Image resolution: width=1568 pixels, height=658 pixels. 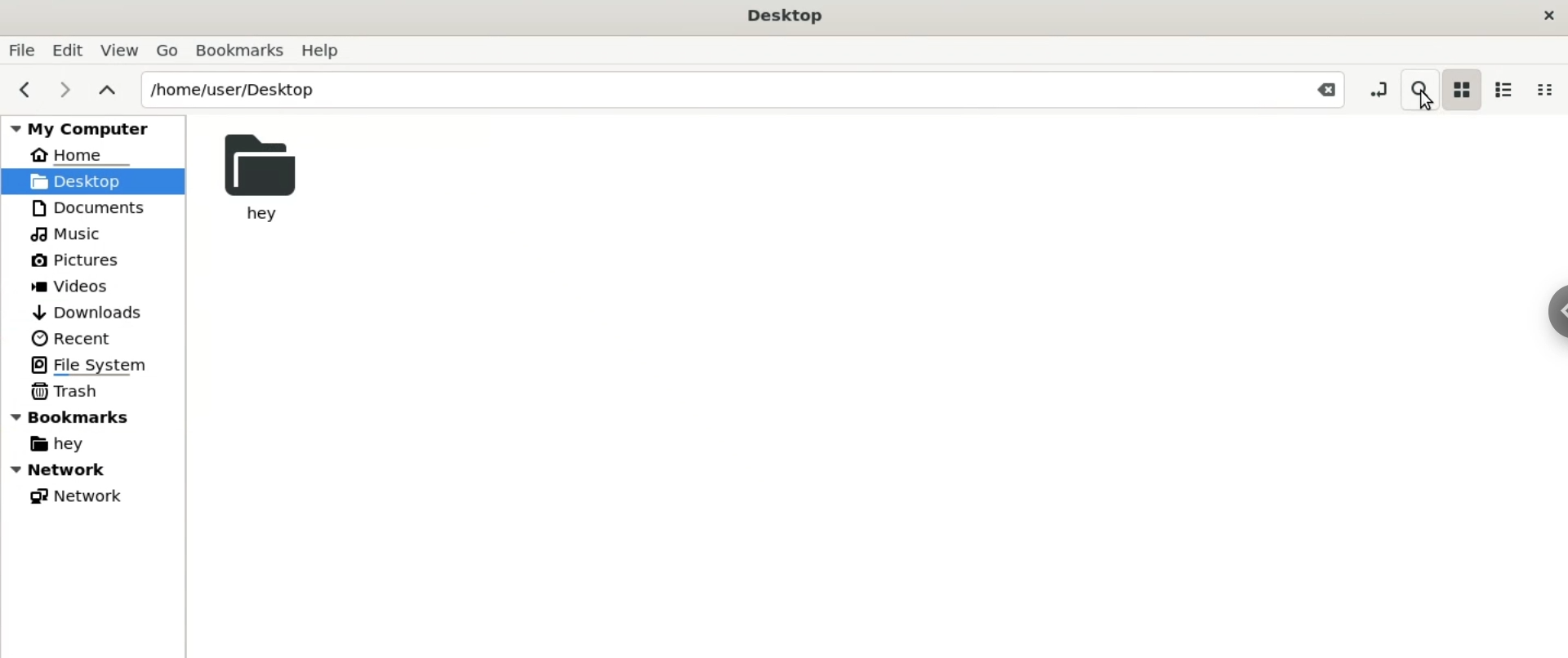 I want to click on Documents, so click(x=90, y=207).